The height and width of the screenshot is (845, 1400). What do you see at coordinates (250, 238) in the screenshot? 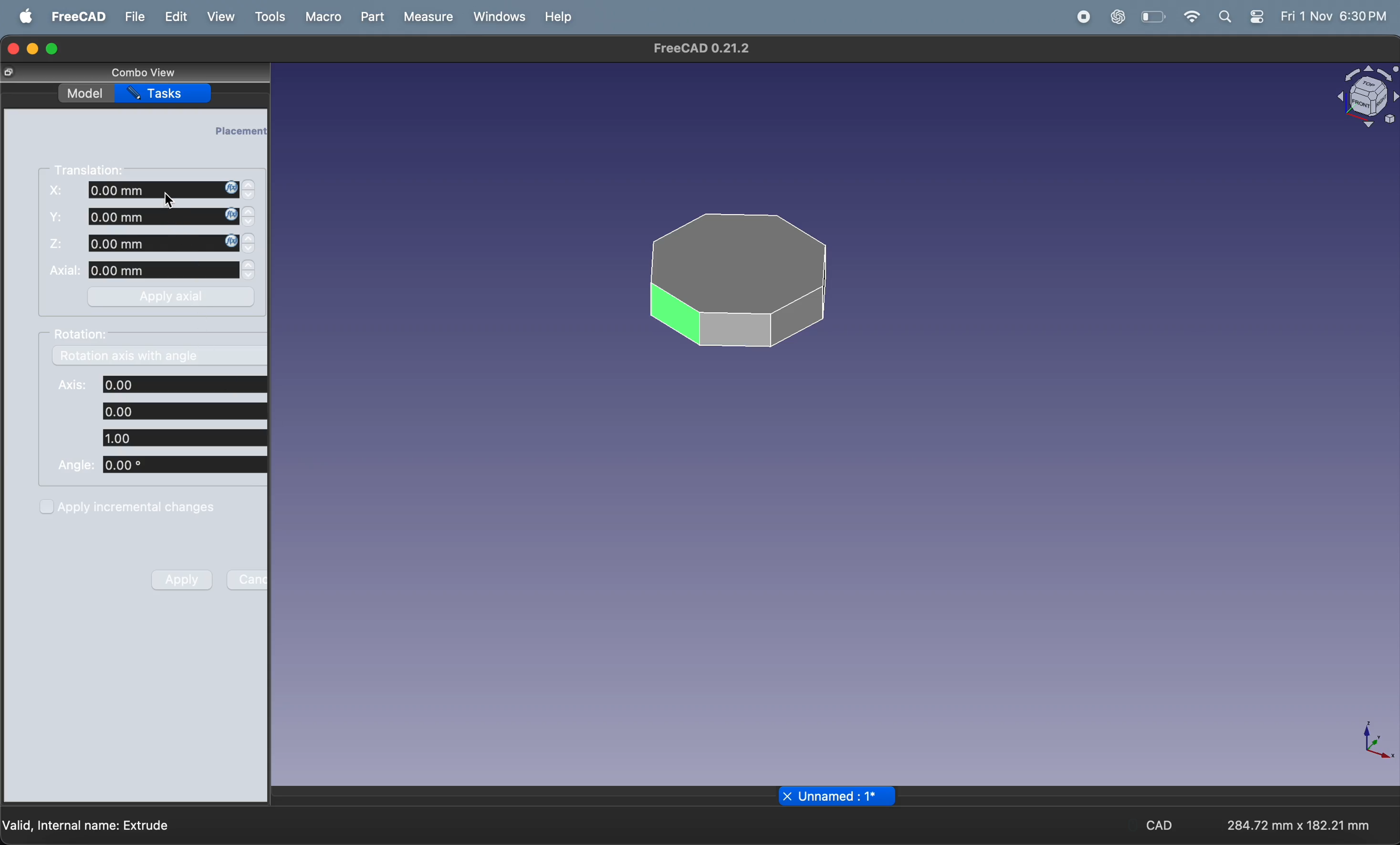
I see `up` at bounding box center [250, 238].